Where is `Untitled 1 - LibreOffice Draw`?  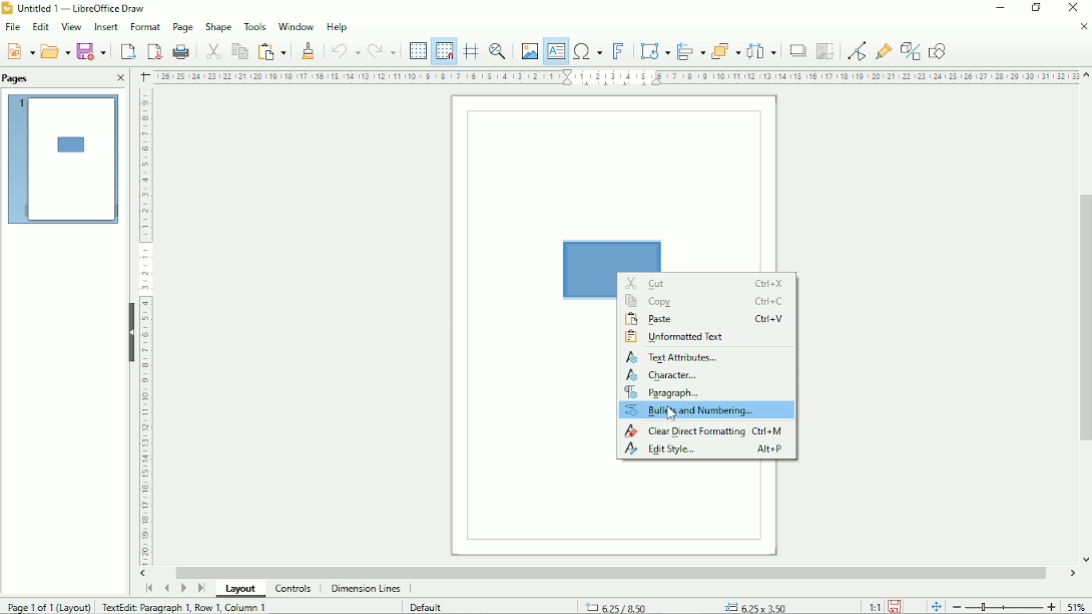 Untitled 1 - LibreOffice Draw is located at coordinates (77, 7).